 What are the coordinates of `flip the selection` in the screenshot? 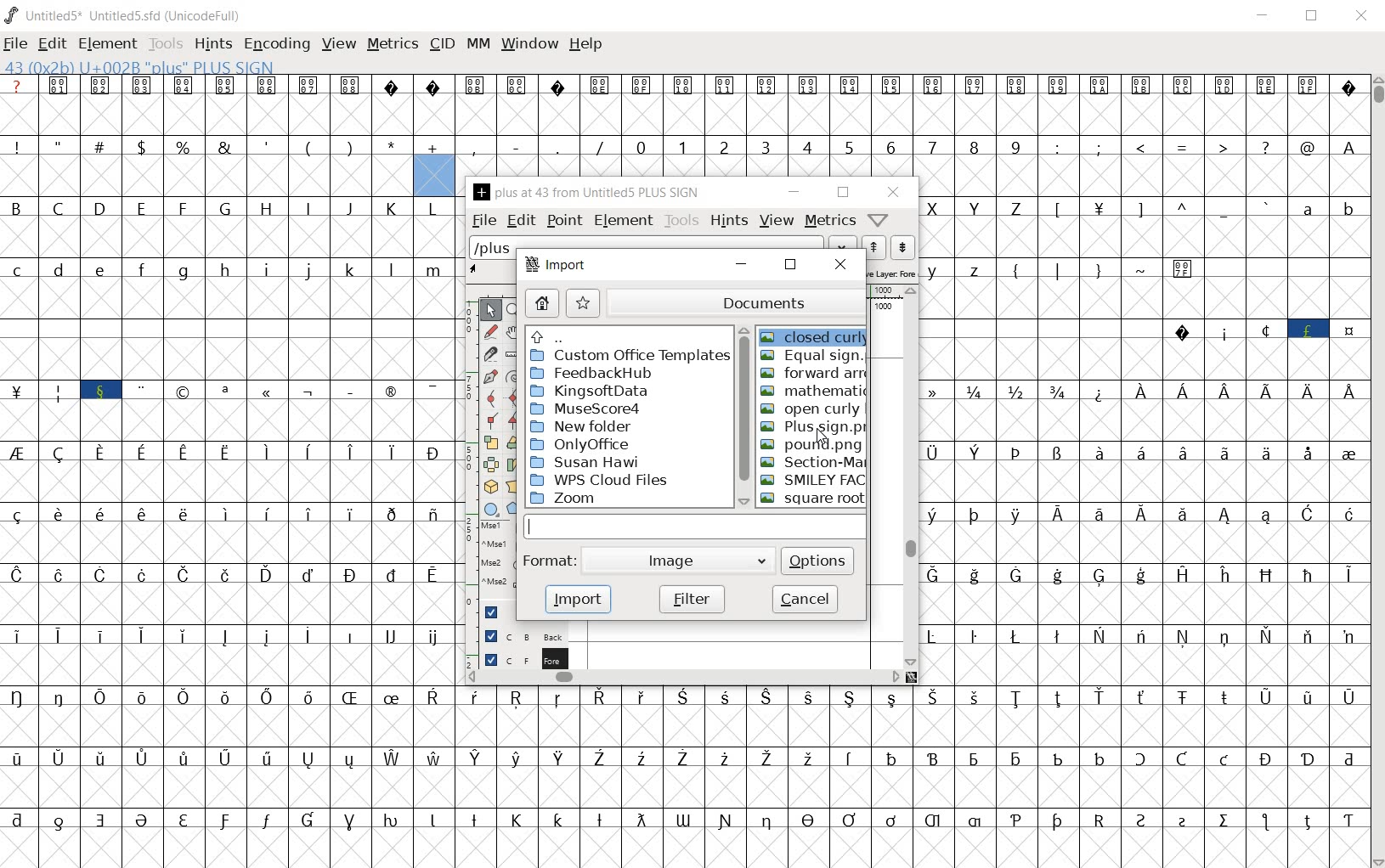 It's located at (489, 465).